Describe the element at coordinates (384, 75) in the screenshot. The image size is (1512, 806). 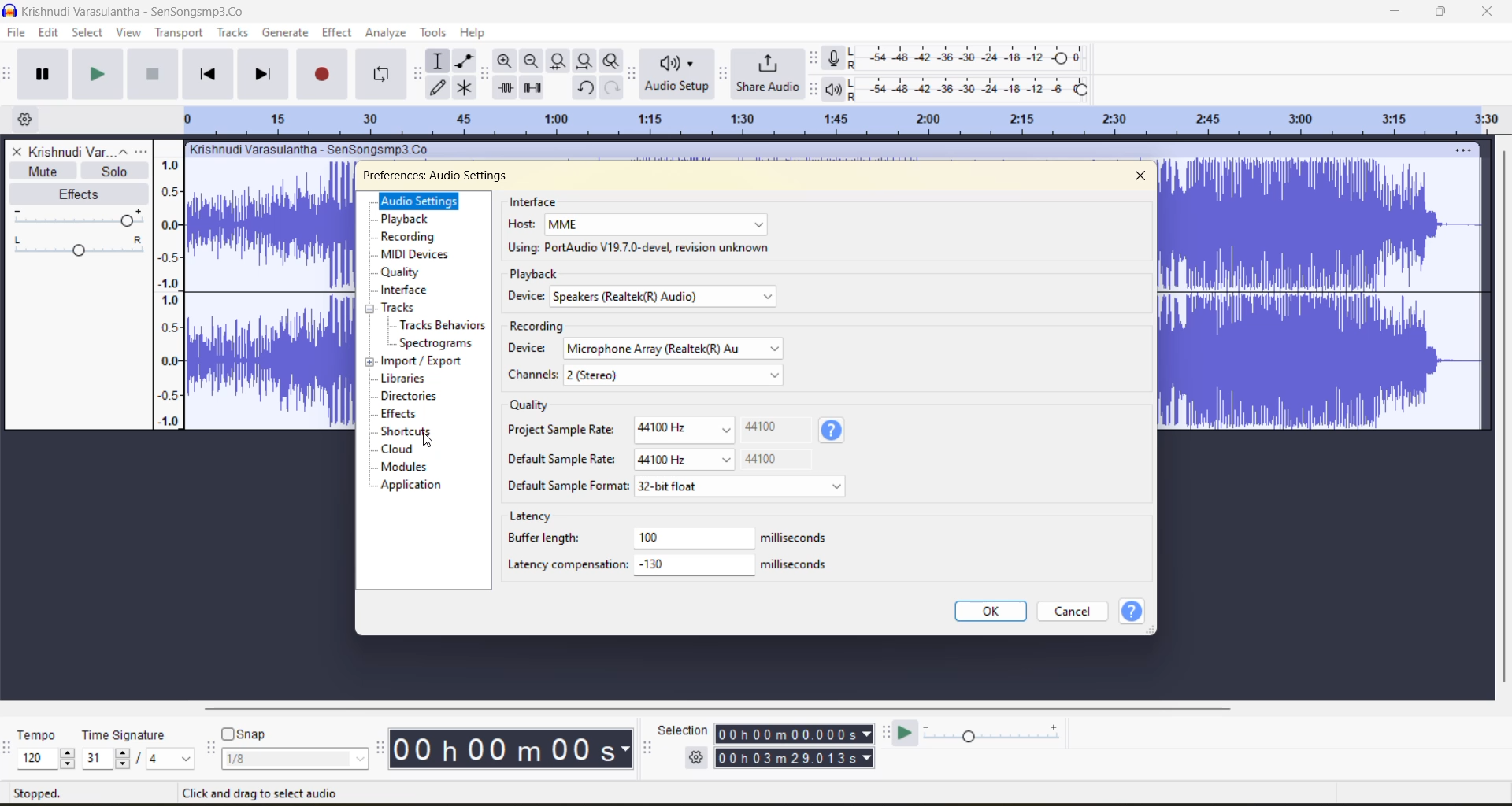
I see `enable looping` at that location.